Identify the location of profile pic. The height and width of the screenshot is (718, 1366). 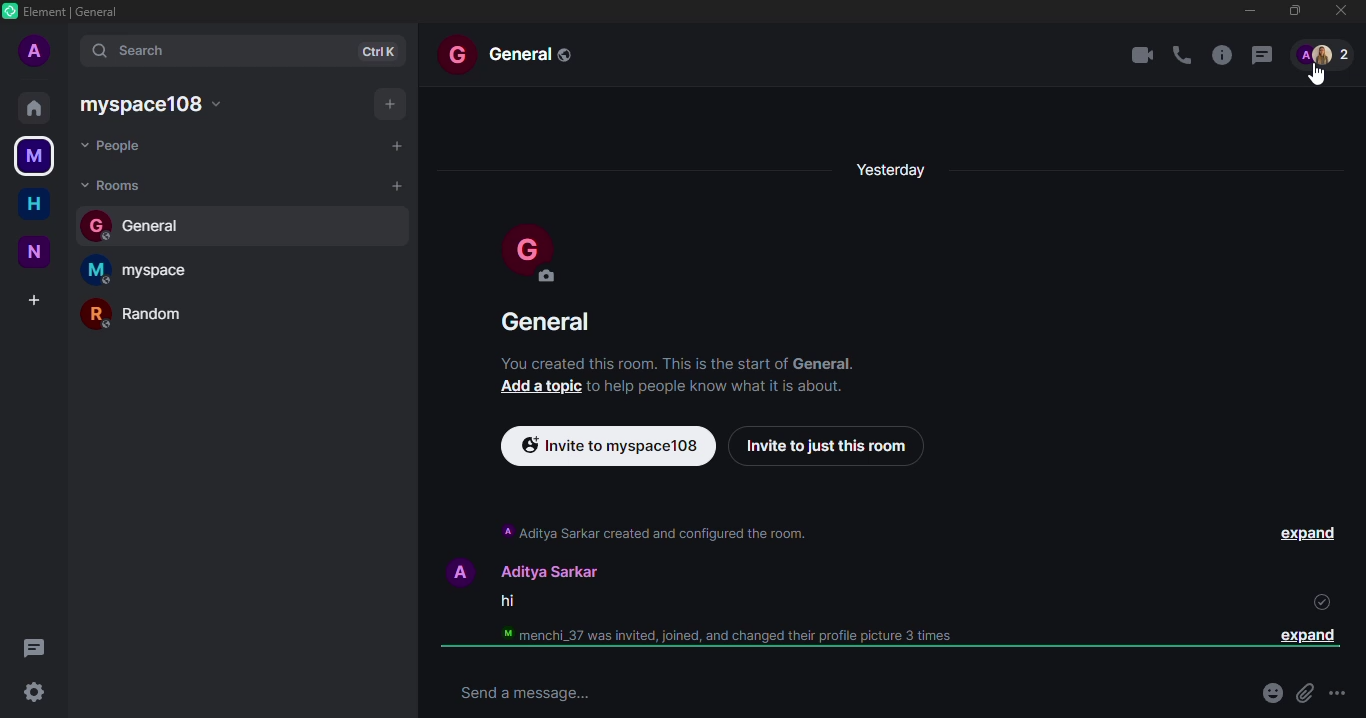
(525, 254).